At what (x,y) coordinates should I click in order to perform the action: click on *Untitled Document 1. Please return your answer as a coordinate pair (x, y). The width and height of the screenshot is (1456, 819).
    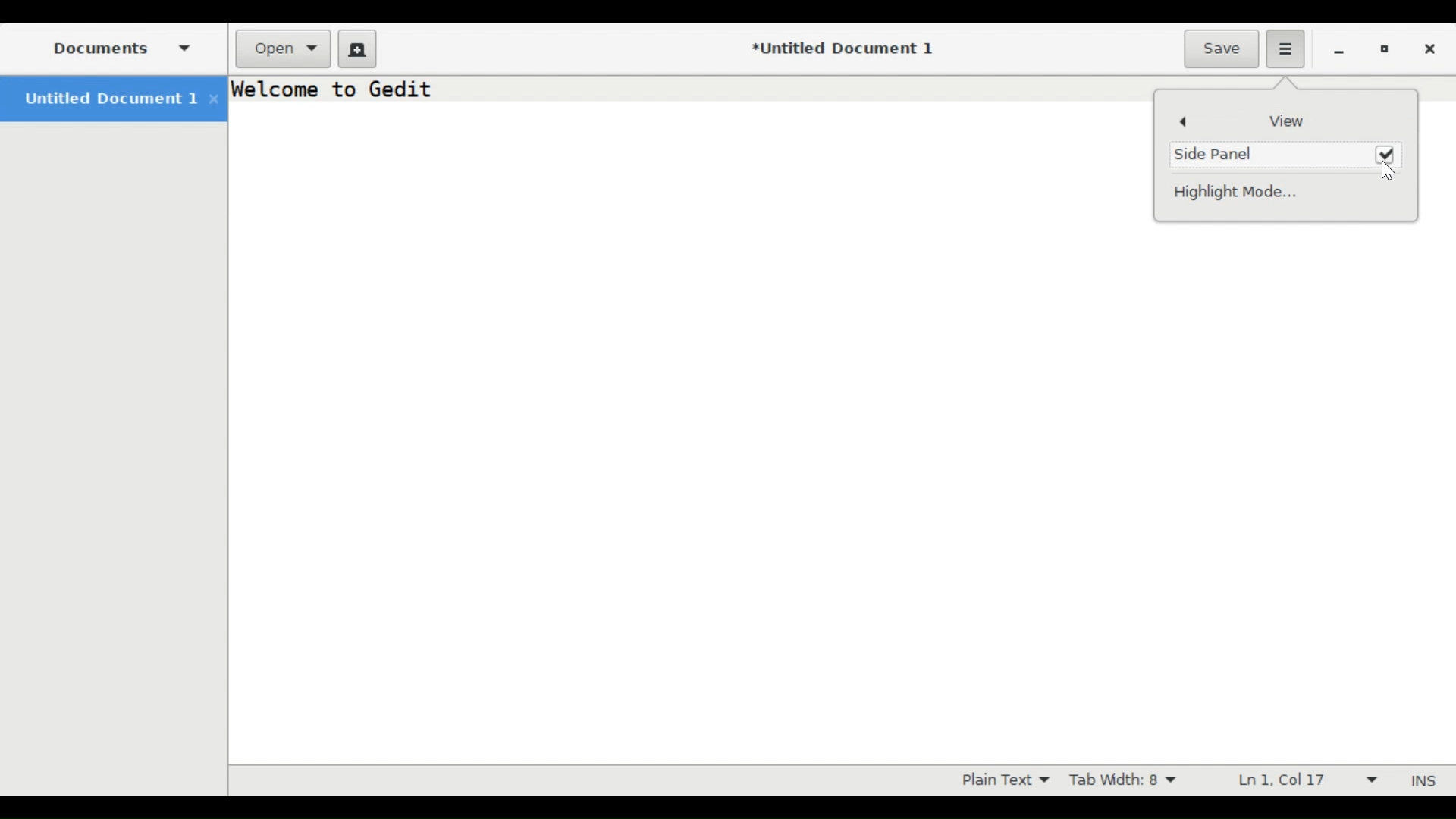
    Looking at the image, I should click on (841, 49).